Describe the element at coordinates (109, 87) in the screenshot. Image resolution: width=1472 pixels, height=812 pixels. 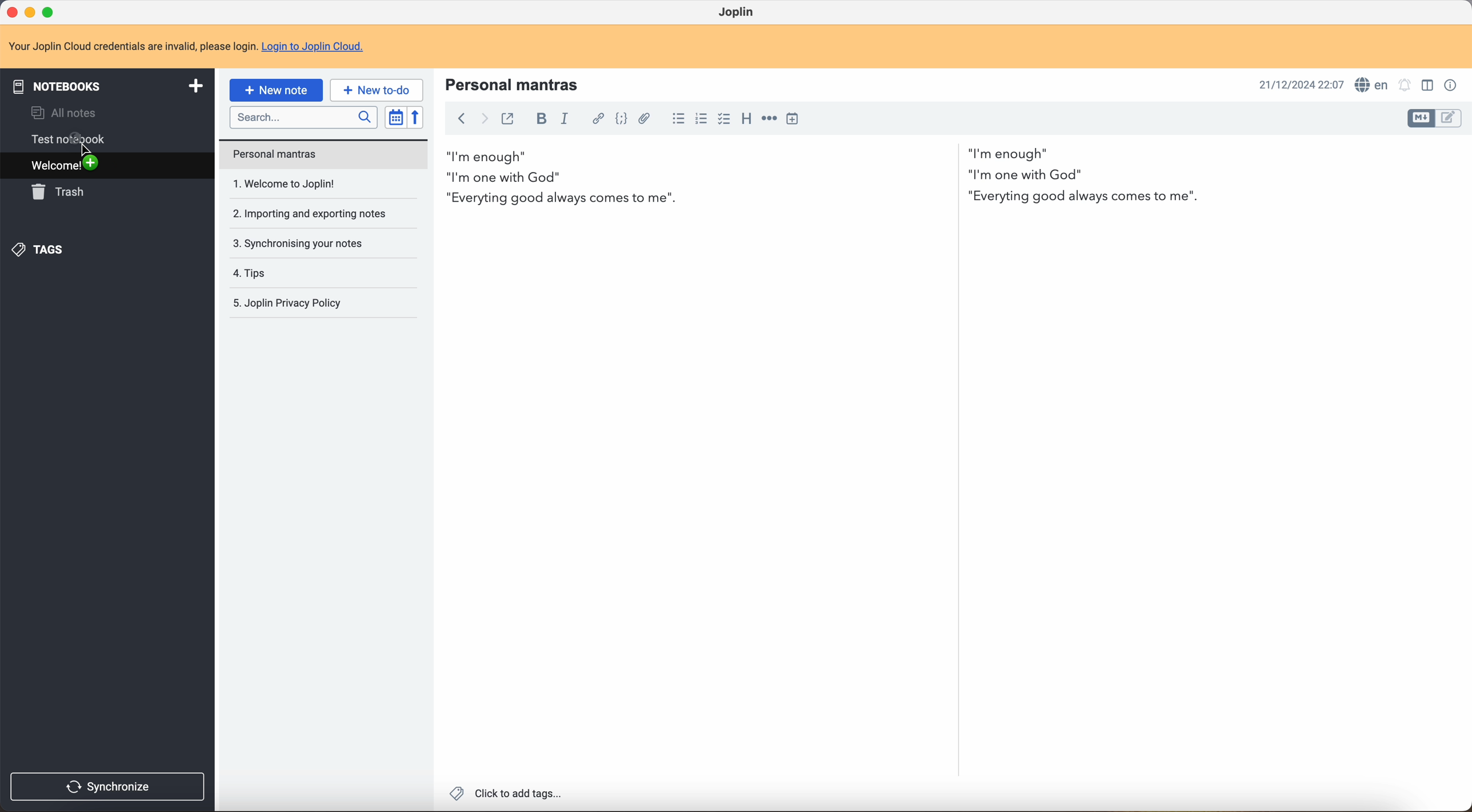
I see `notebooks` at that location.